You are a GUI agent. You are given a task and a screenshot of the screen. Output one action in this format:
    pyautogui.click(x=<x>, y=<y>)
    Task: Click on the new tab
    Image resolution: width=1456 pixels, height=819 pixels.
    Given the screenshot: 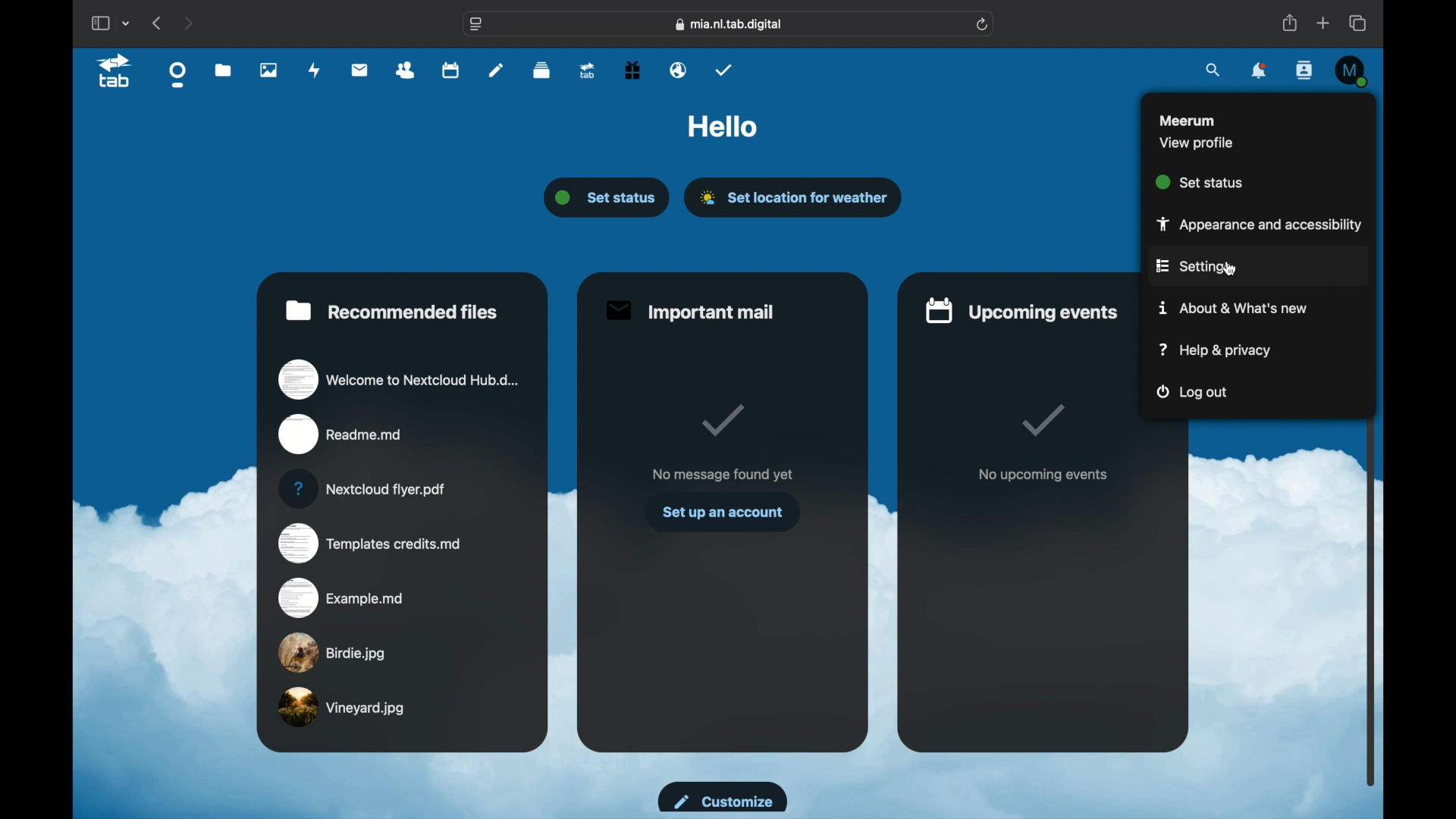 What is the action you would take?
    pyautogui.click(x=1323, y=23)
    